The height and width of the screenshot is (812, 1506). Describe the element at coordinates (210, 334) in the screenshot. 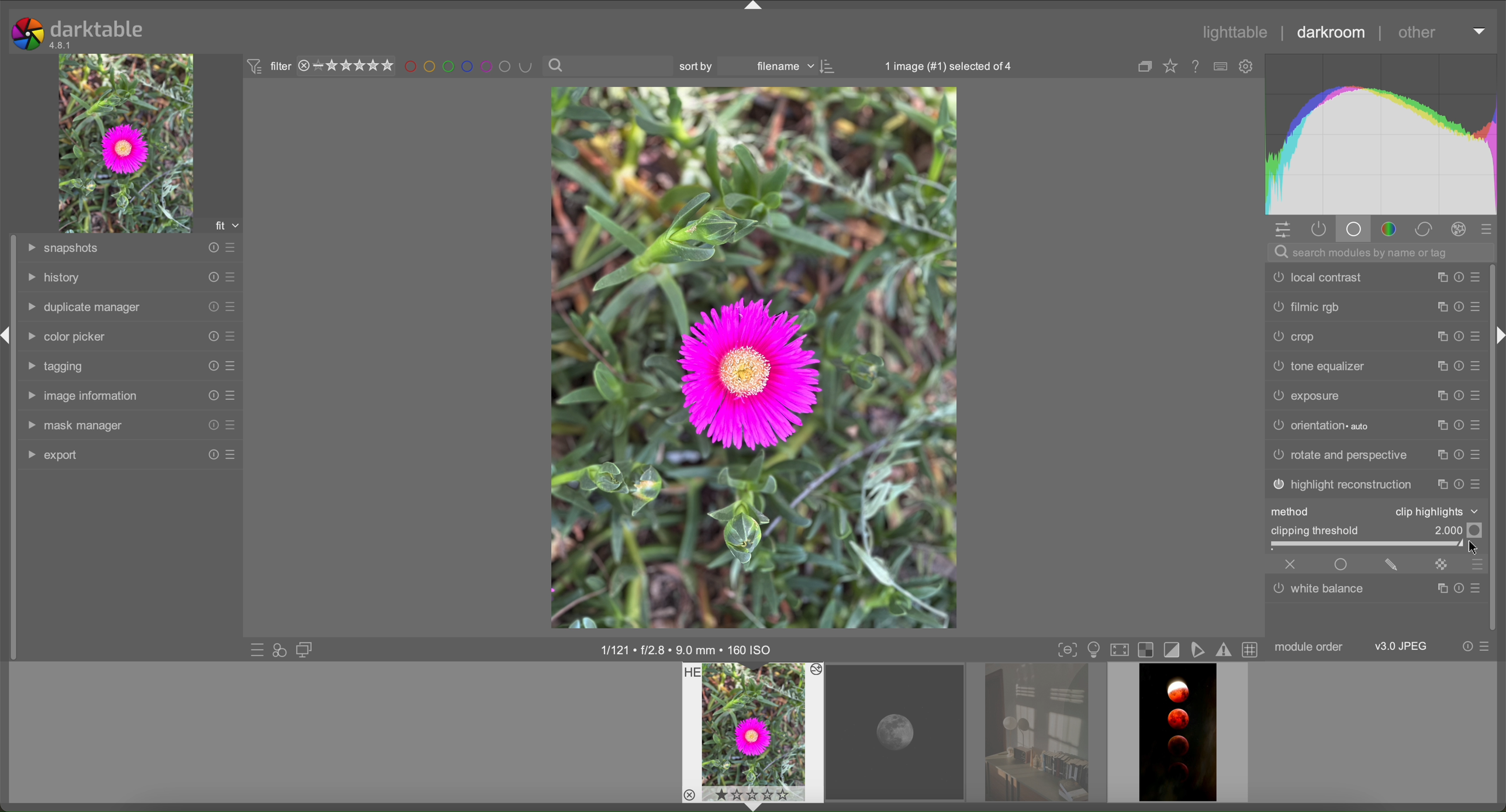

I see `reset presets` at that location.